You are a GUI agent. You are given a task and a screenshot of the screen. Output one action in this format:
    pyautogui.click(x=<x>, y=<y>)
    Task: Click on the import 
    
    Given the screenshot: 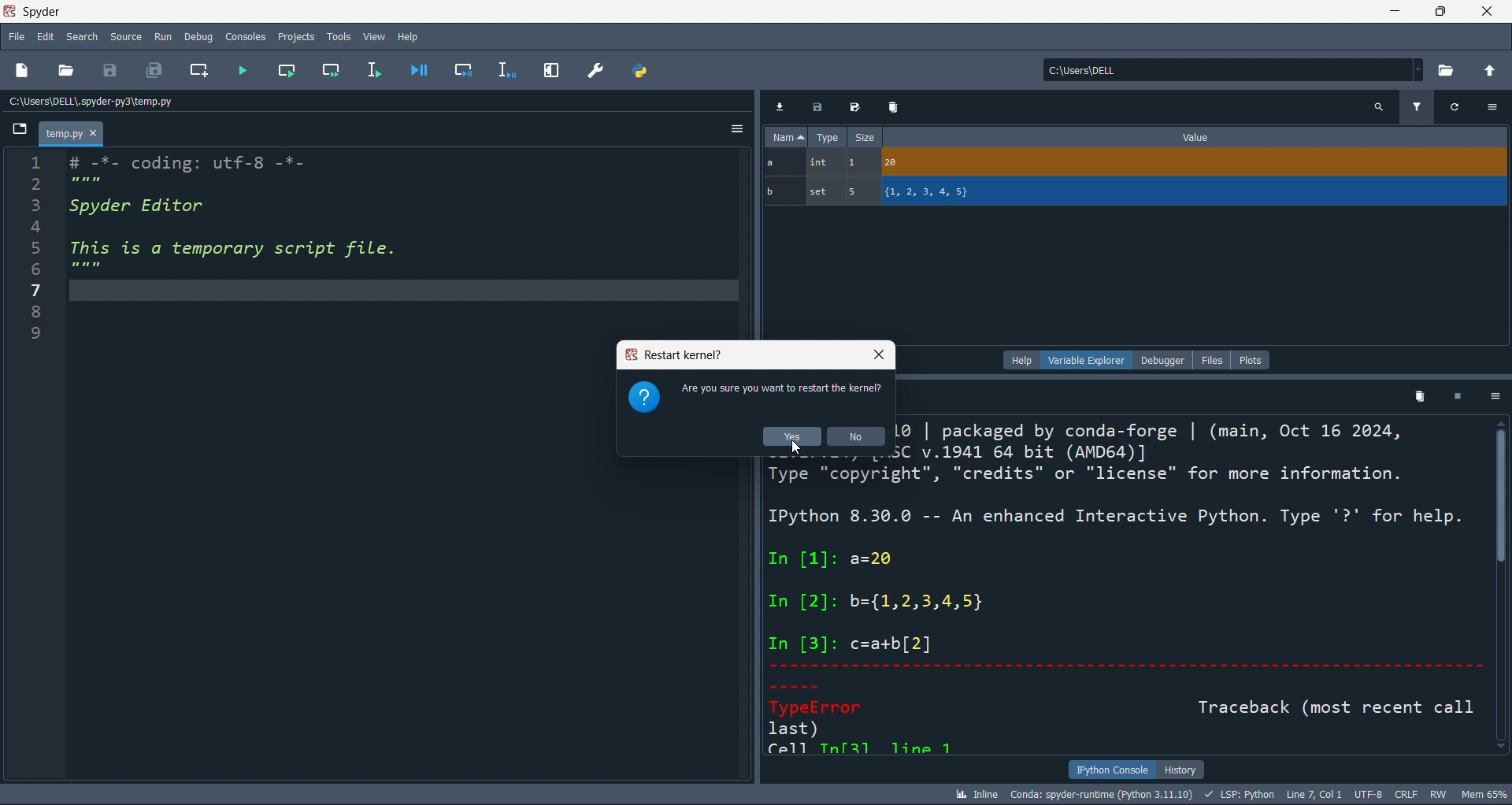 What is the action you would take?
    pyautogui.click(x=781, y=106)
    